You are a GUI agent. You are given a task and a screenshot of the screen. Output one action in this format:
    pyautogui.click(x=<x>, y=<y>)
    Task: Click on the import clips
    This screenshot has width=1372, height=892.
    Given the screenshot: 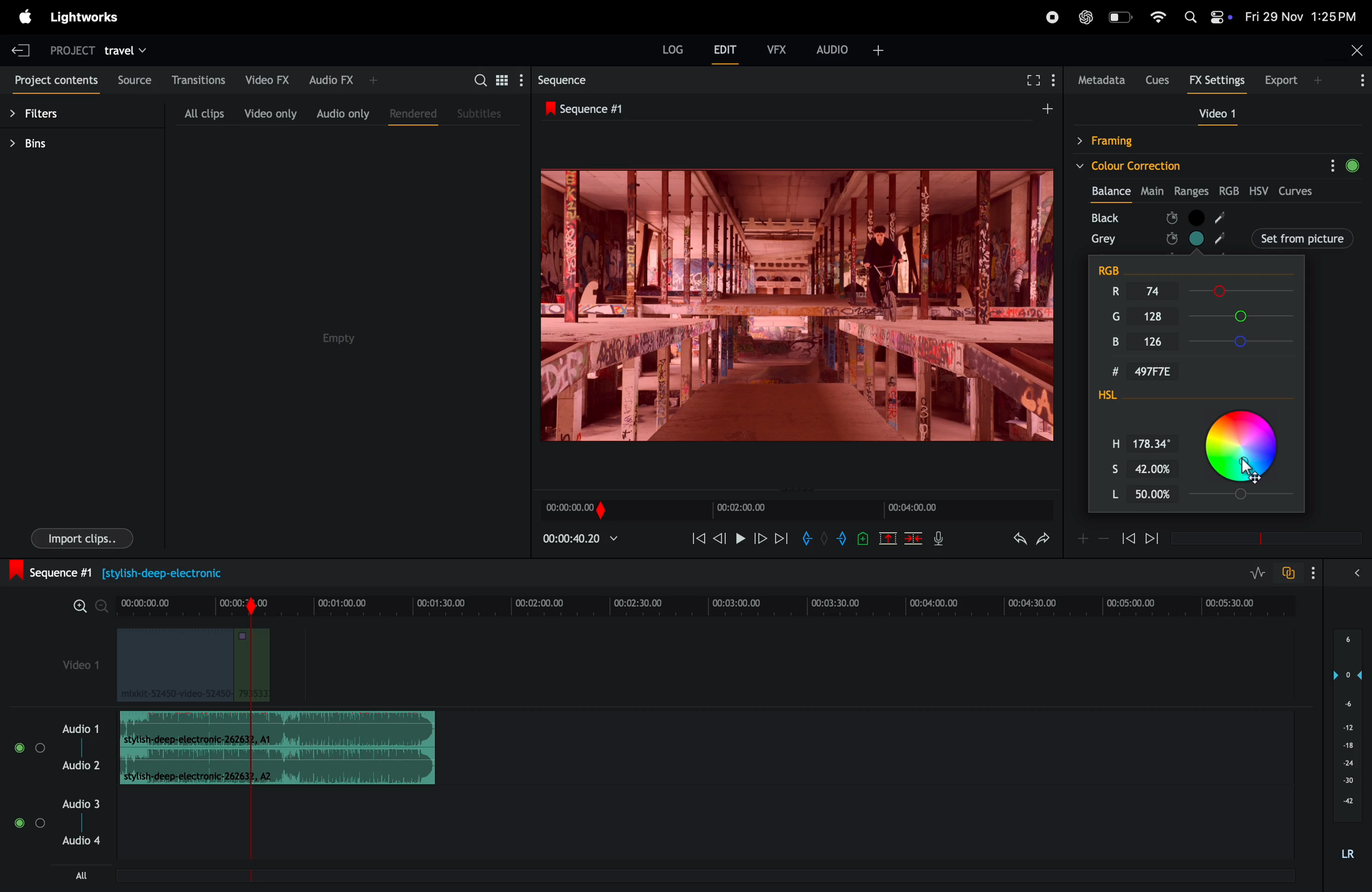 What is the action you would take?
    pyautogui.click(x=82, y=538)
    